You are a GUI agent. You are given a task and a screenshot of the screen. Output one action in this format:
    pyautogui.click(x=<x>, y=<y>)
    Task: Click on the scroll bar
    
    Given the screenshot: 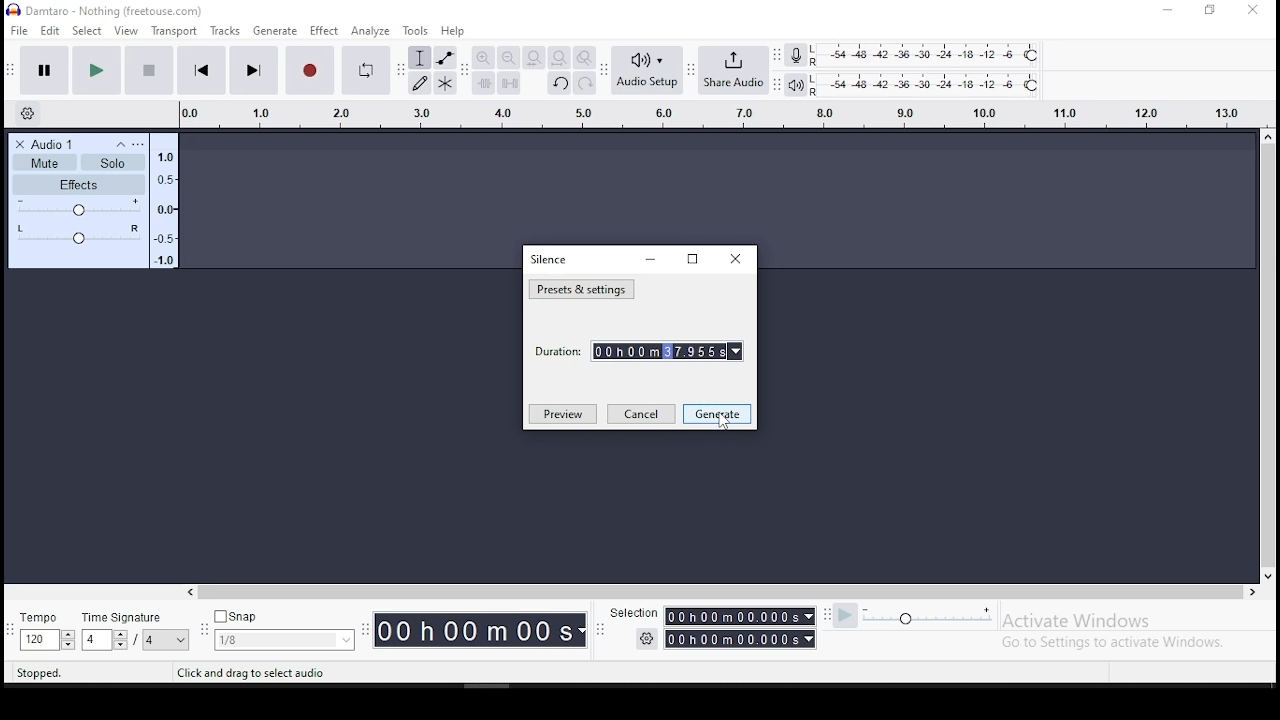 What is the action you would take?
    pyautogui.click(x=721, y=590)
    